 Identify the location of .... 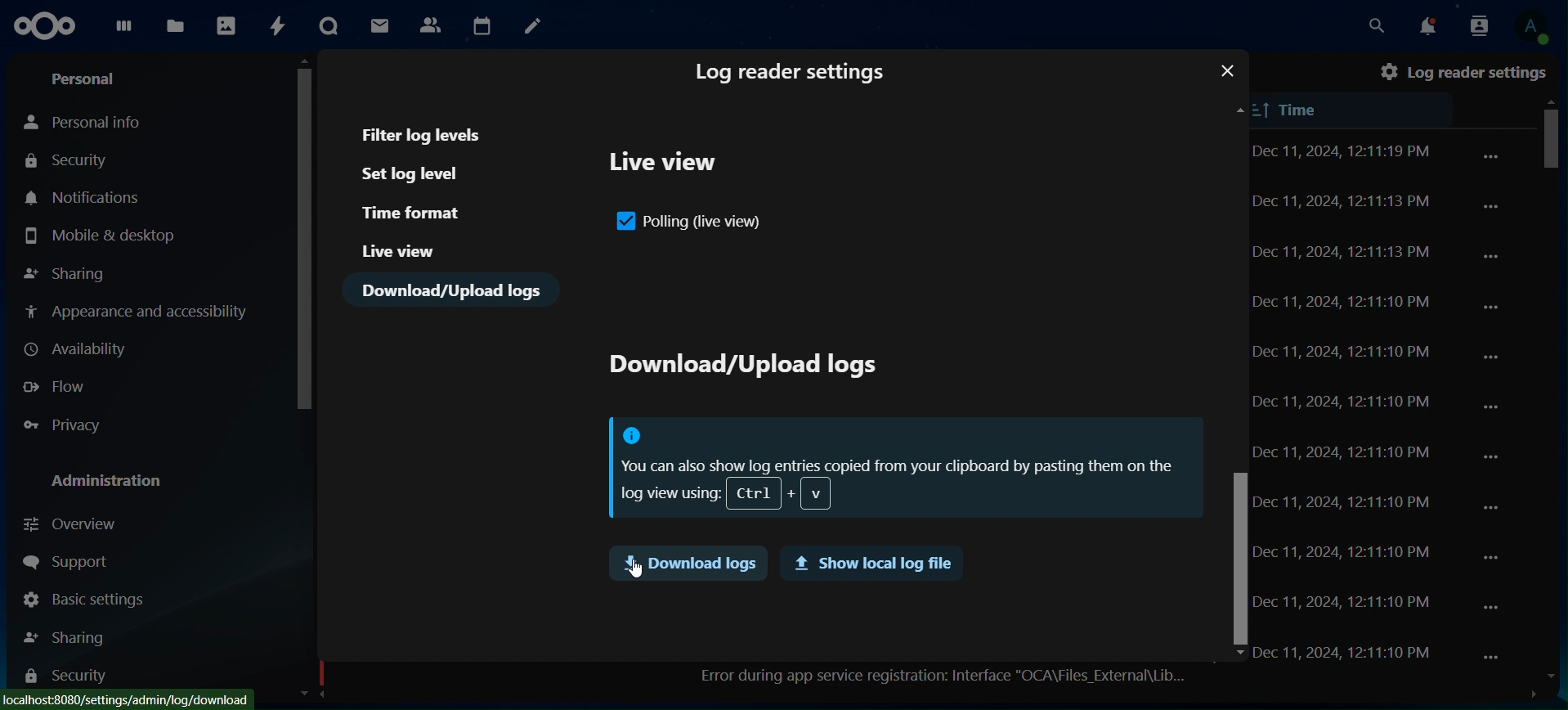
(1494, 359).